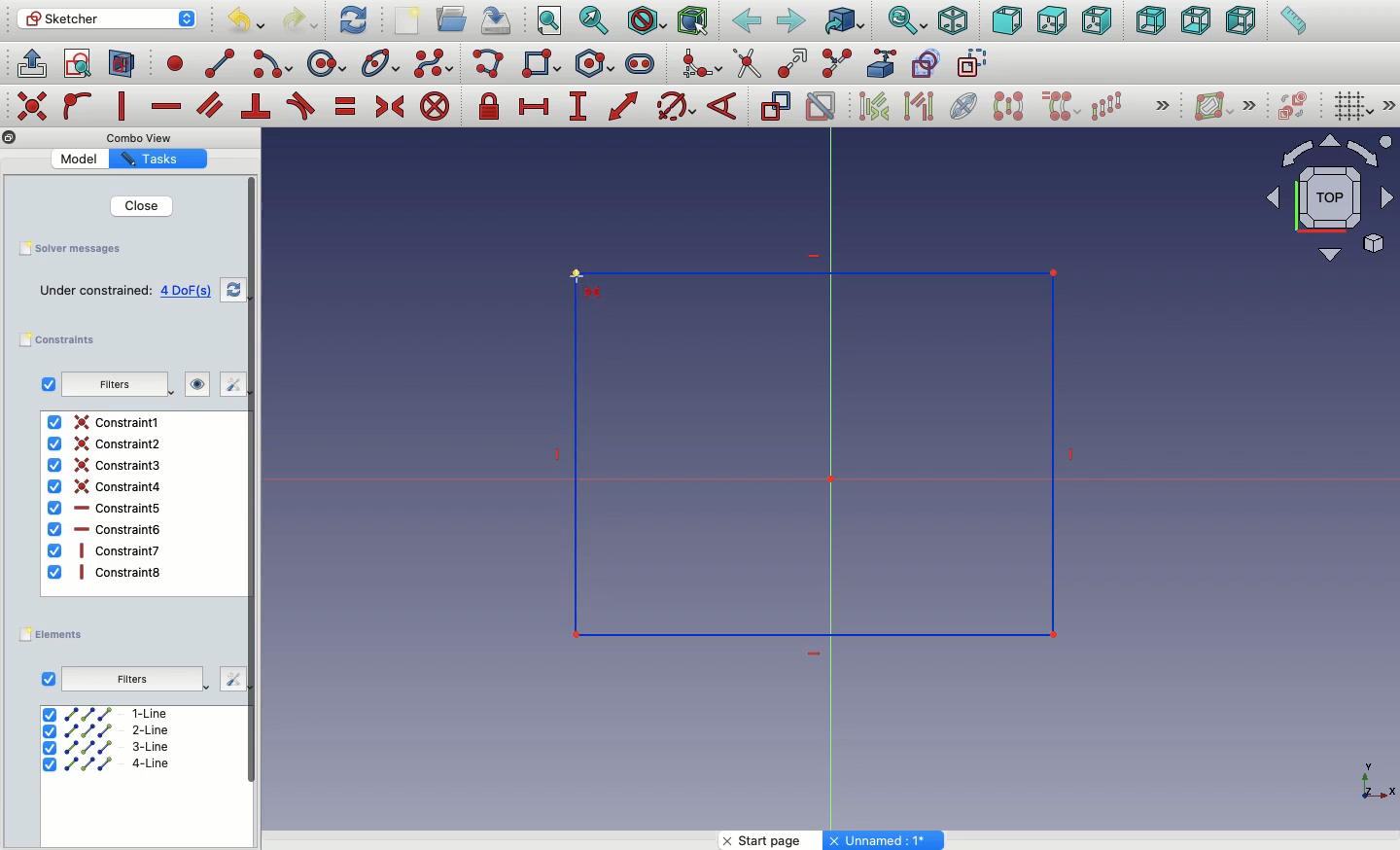 The width and height of the screenshot is (1400, 850). I want to click on Constraint3, so click(107, 466).